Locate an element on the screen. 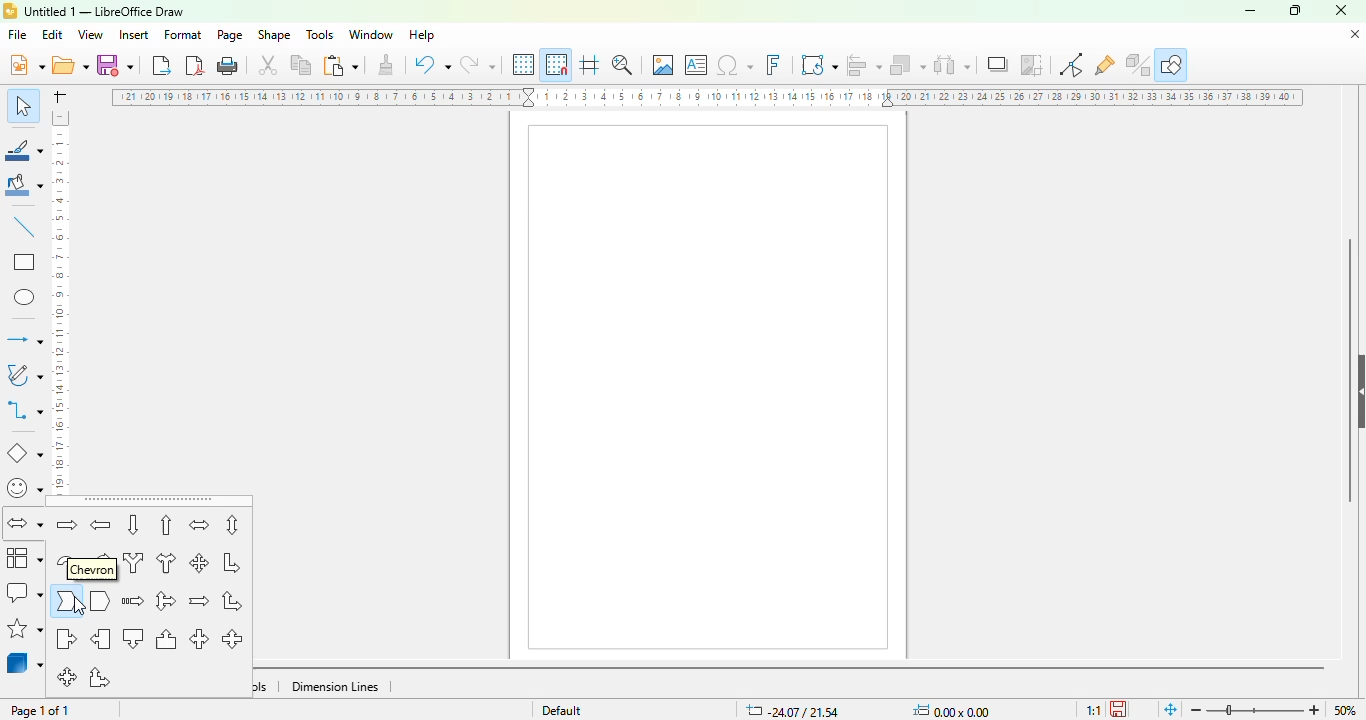 The width and height of the screenshot is (1366, 720). shadow is located at coordinates (997, 64).